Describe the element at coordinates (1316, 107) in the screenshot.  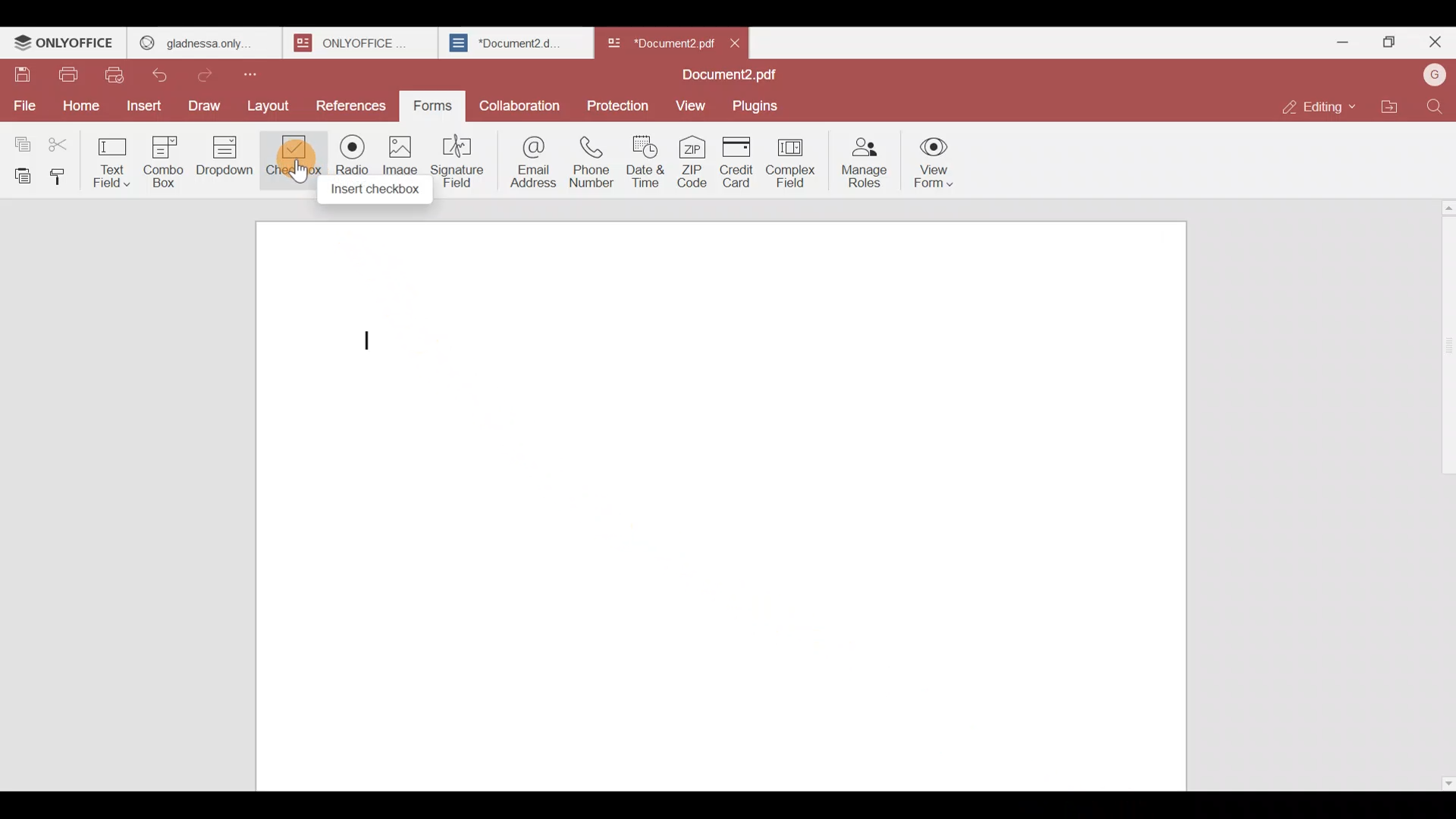
I see `Editing mode` at that location.